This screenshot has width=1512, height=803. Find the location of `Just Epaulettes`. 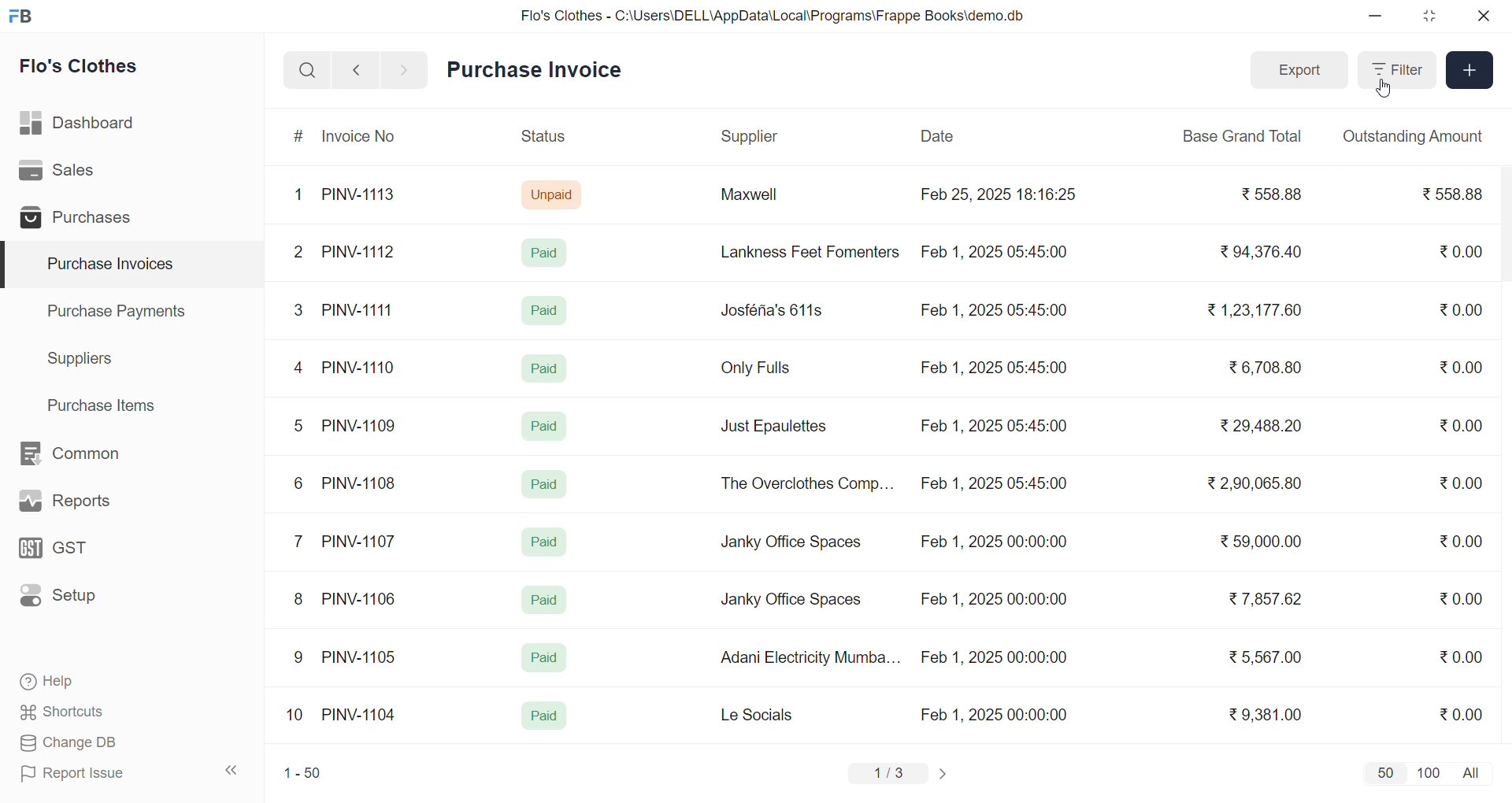

Just Epaulettes is located at coordinates (780, 427).